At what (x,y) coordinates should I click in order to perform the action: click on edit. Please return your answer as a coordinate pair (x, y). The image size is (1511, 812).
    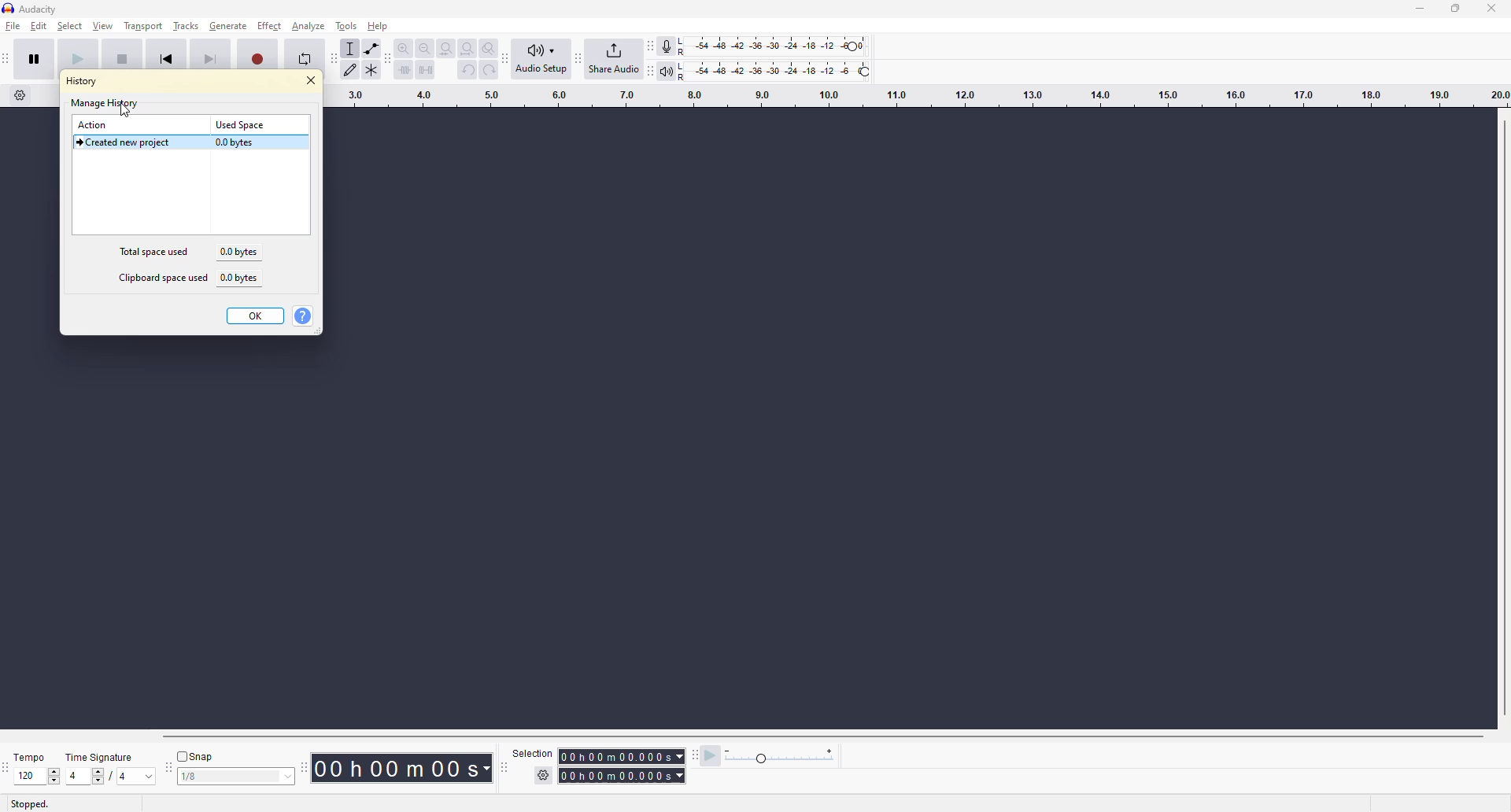
    Looking at the image, I should click on (40, 28).